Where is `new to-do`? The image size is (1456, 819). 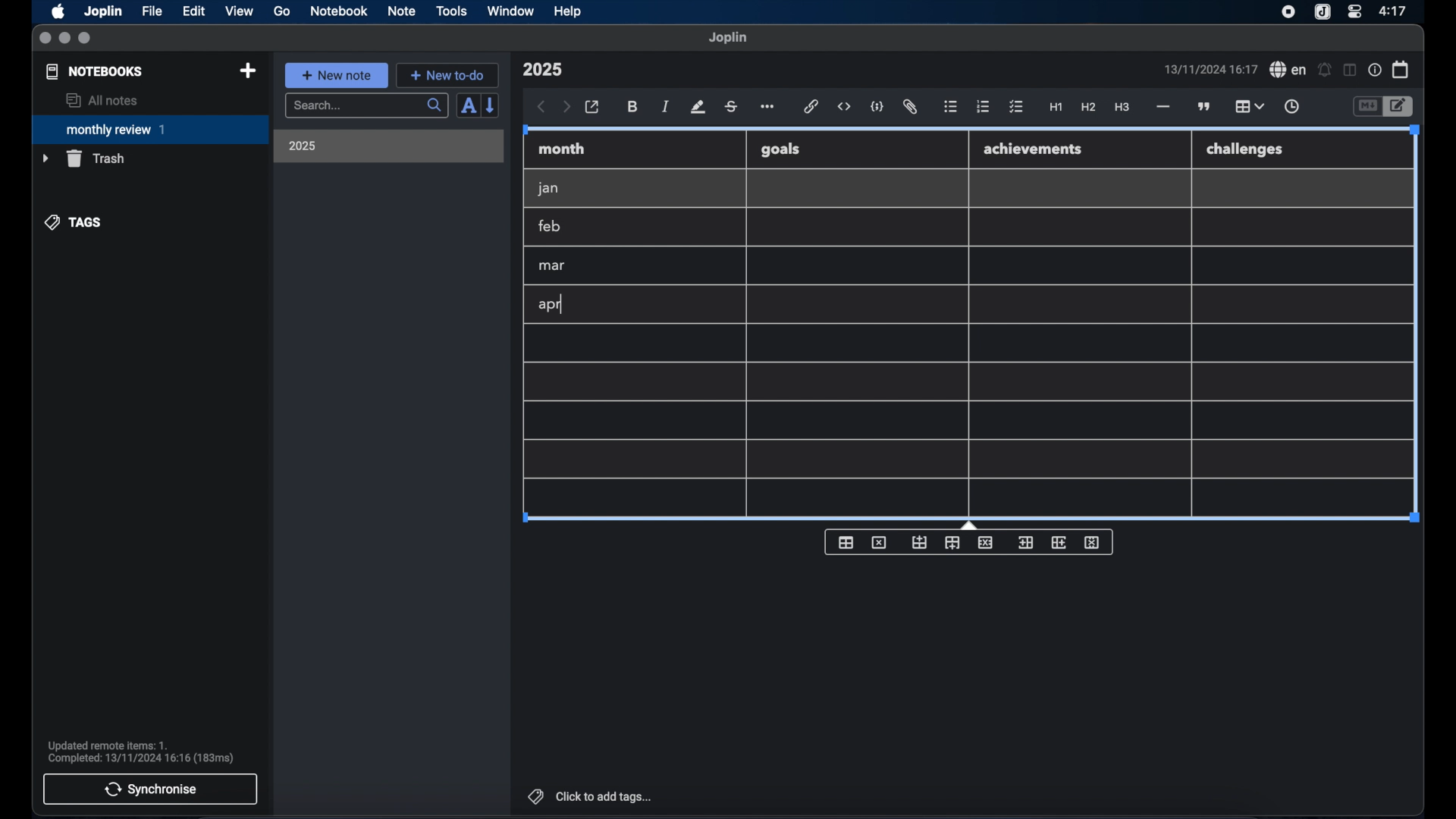 new to-do is located at coordinates (448, 75).